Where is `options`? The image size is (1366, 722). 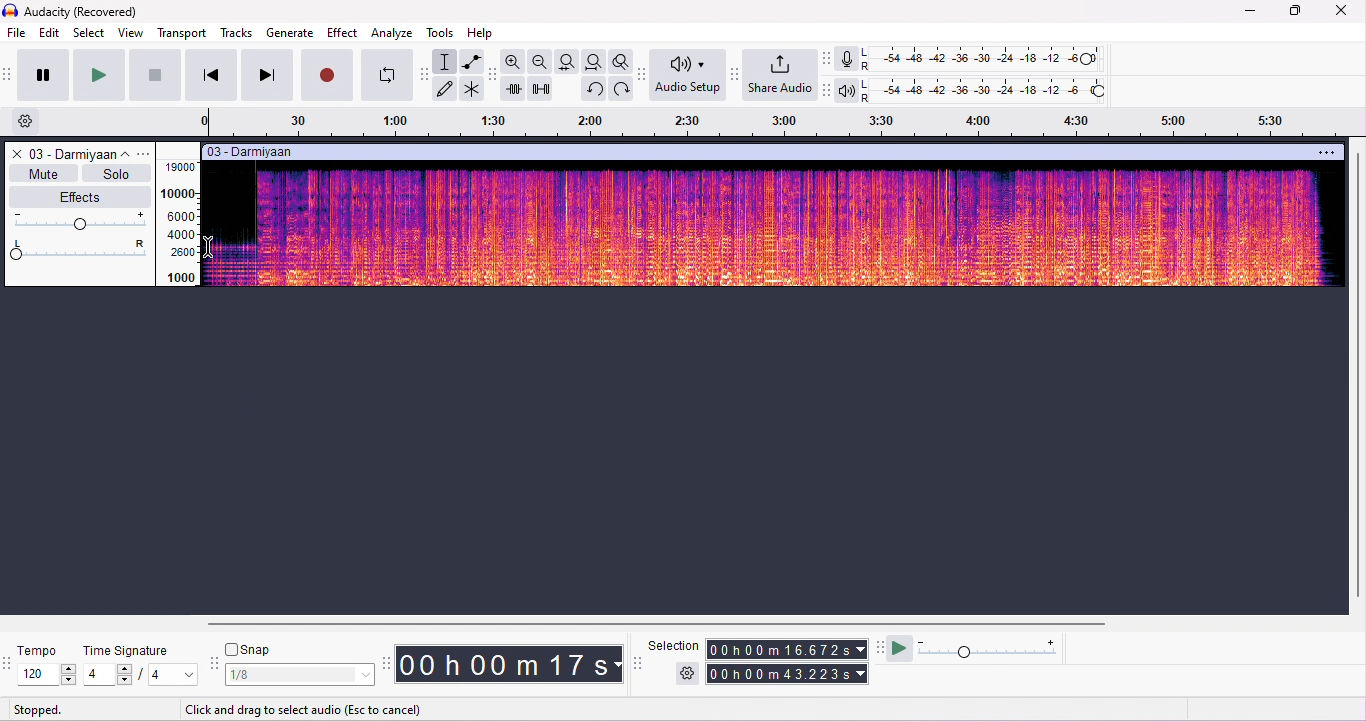
options is located at coordinates (145, 154).